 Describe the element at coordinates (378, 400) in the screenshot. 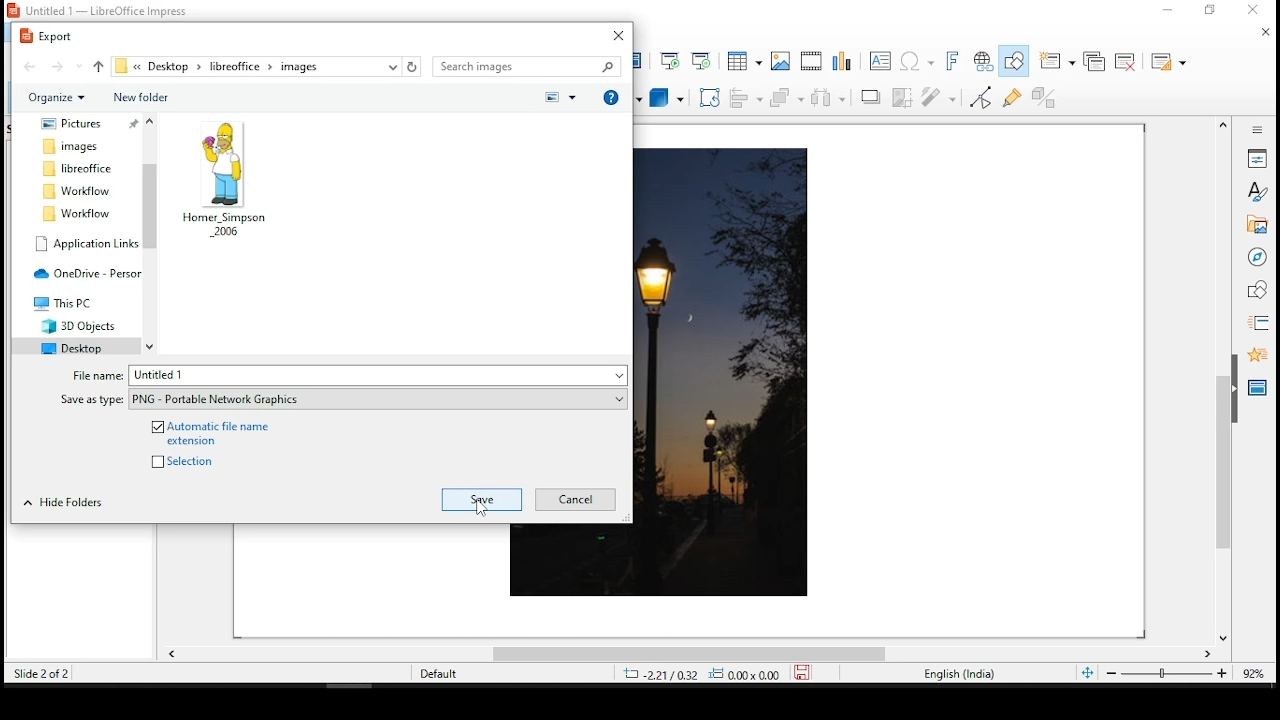

I see `save as type` at that location.